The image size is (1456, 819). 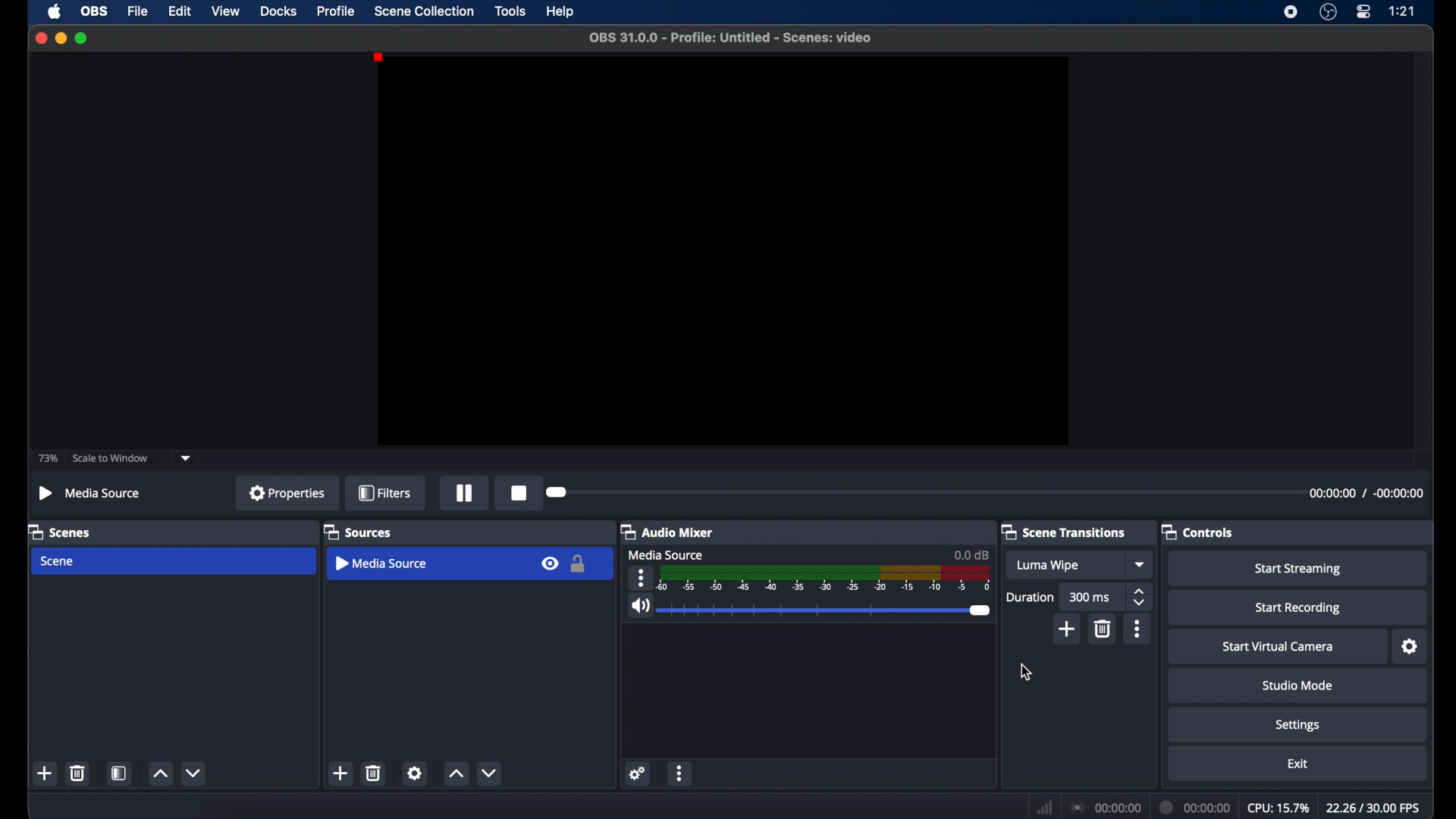 What do you see at coordinates (1029, 598) in the screenshot?
I see `duration` at bounding box center [1029, 598].